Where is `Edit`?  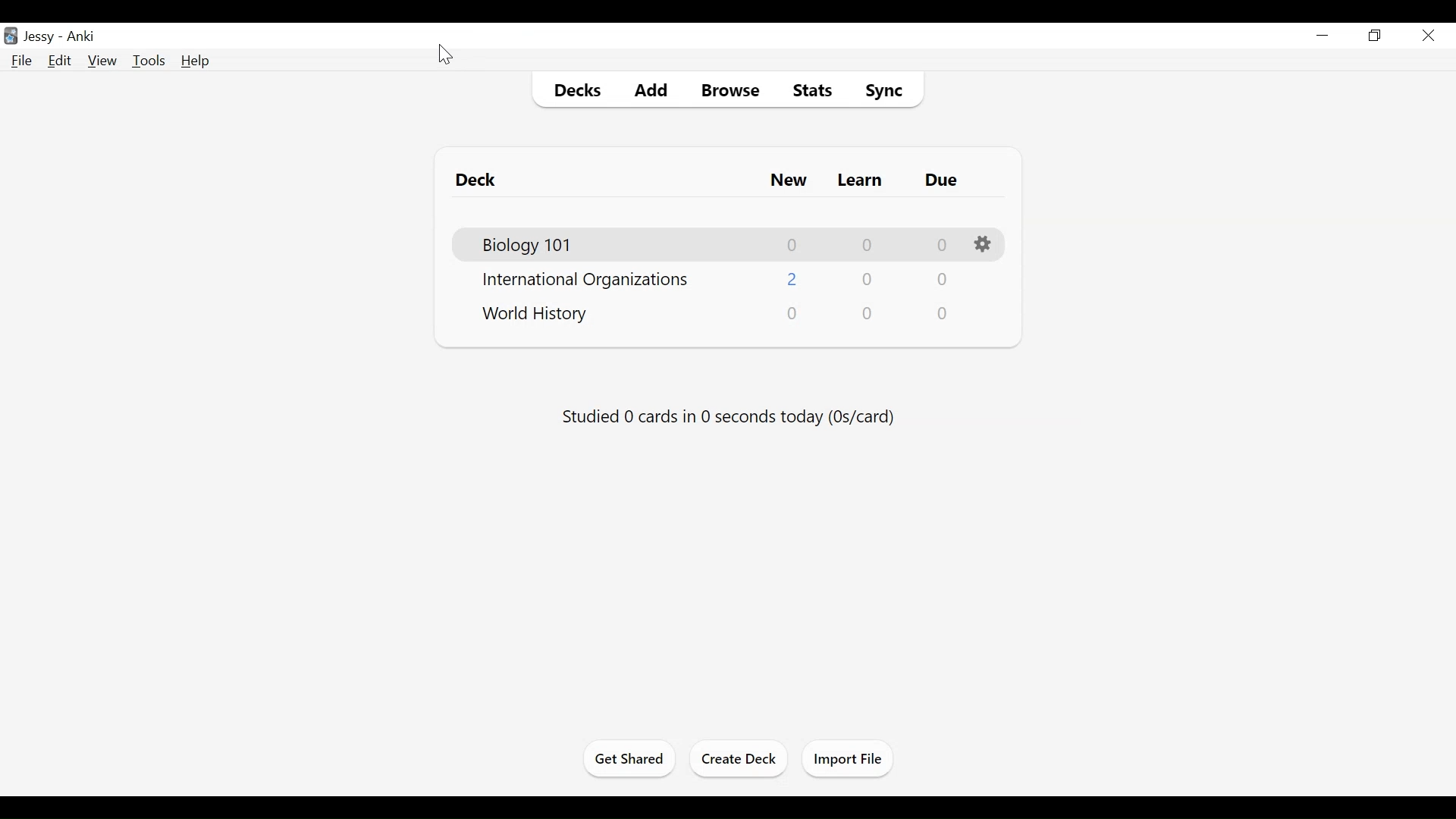
Edit is located at coordinates (60, 60).